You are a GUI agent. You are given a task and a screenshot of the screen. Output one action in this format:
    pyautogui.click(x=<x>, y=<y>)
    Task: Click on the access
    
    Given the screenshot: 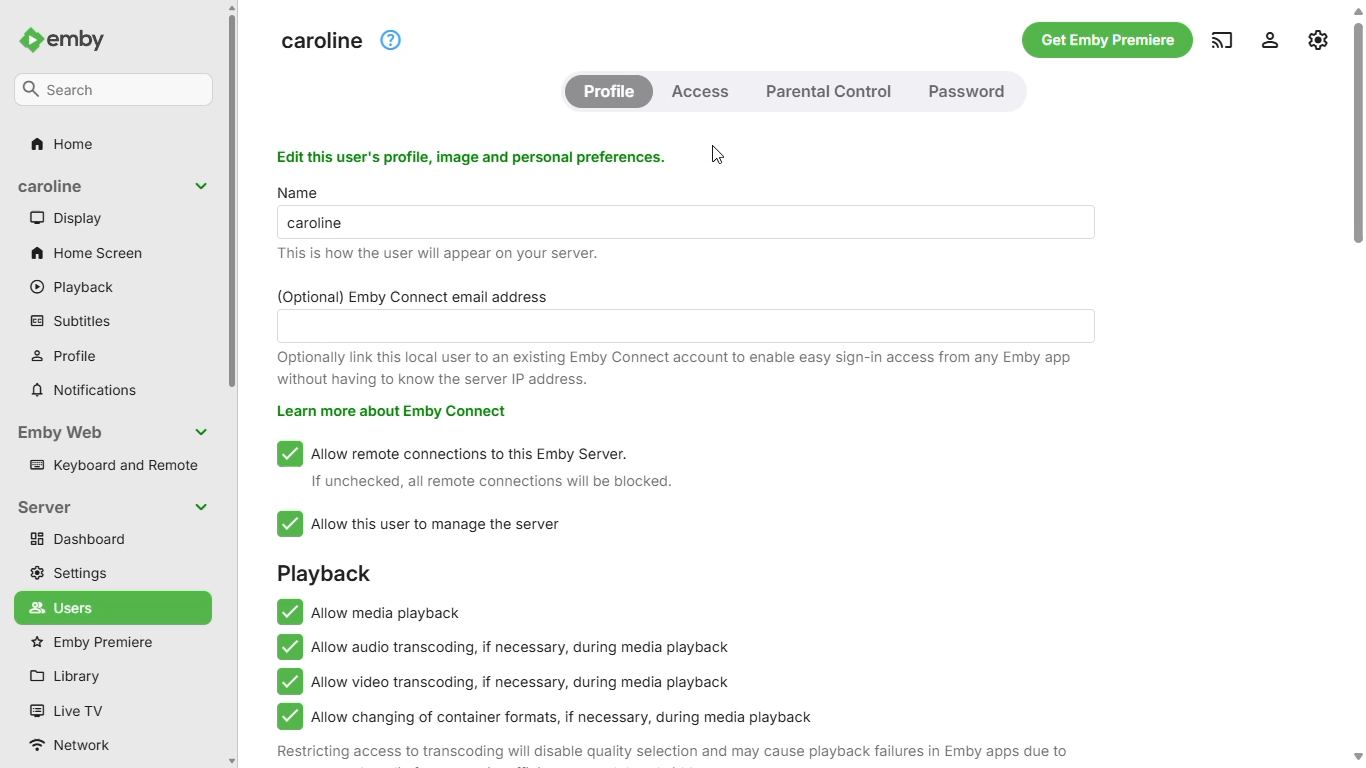 What is the action you would take?
    pyautogui.click(x=699, y=92)
    